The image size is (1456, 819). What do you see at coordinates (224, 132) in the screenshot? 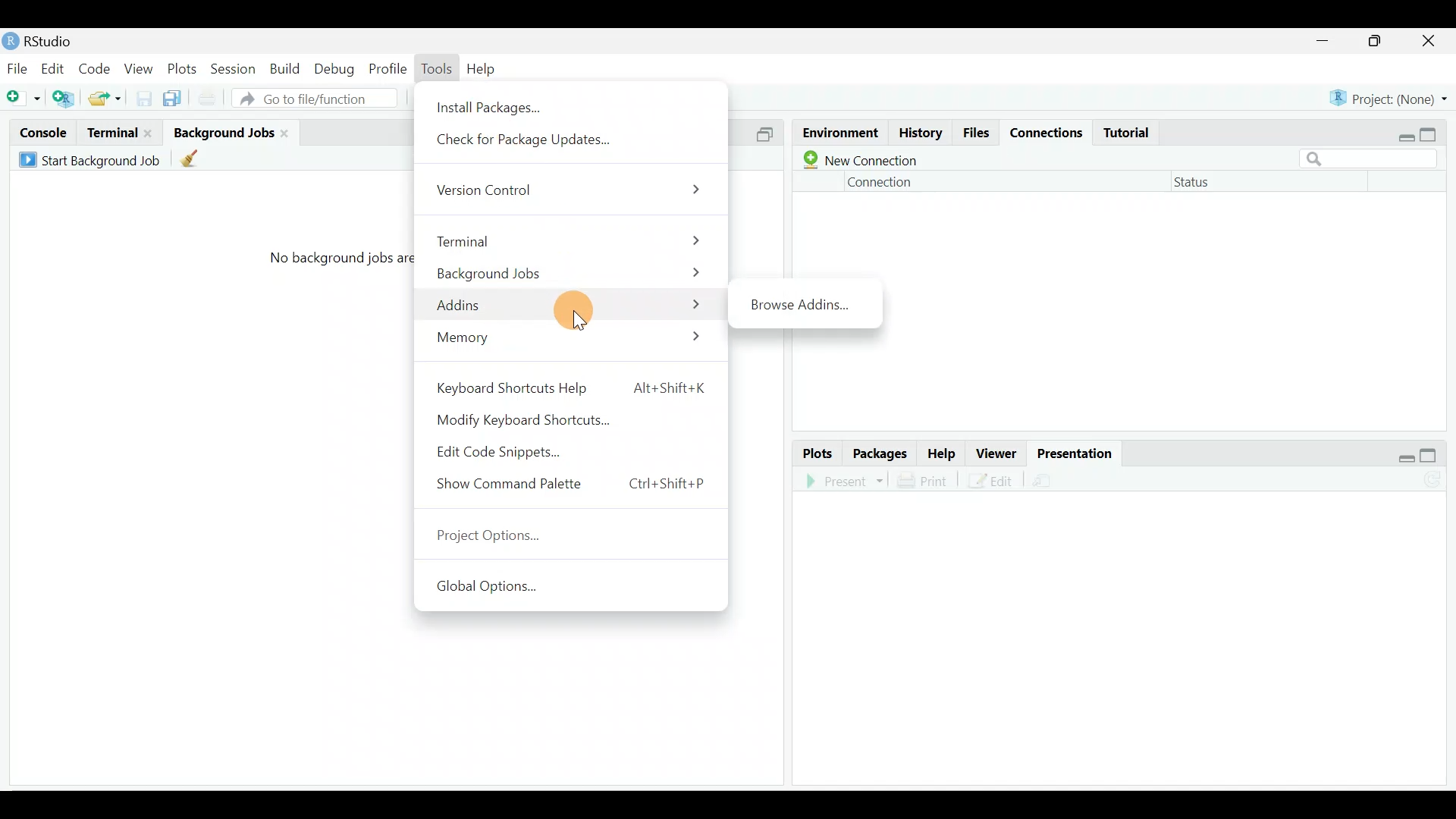
I see `Background jobs` at bounding box center [224, 132].